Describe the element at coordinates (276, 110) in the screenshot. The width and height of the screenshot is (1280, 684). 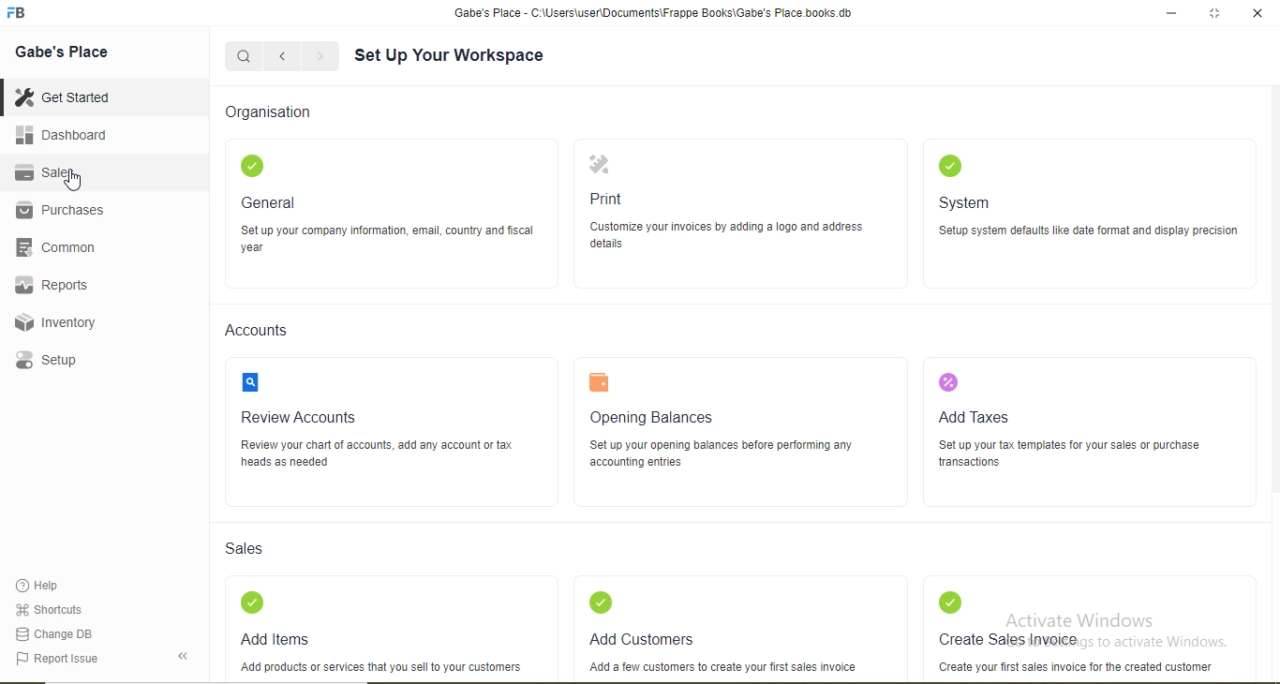
I see `Organisation` at that location.